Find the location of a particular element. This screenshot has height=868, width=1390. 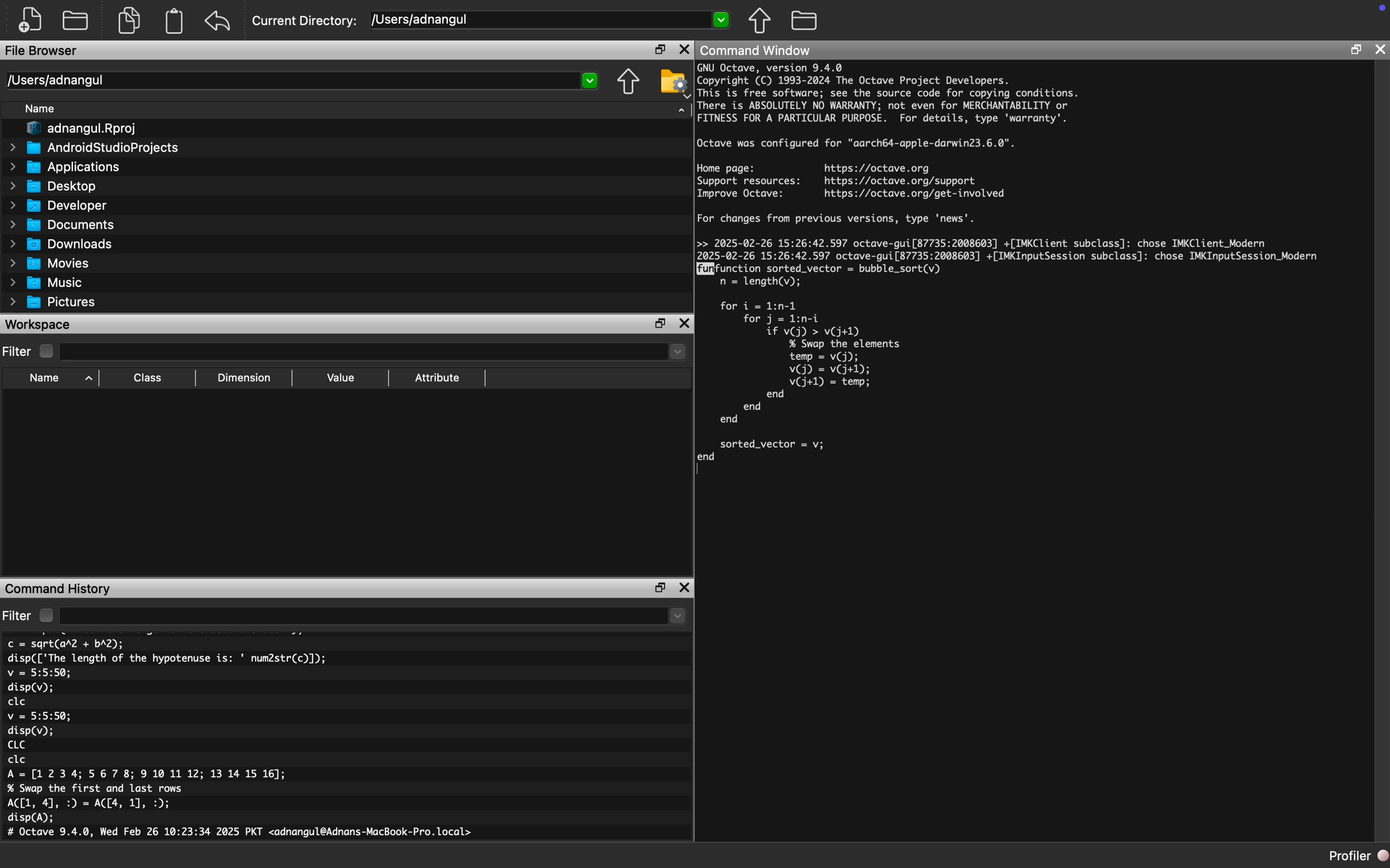

Restore Down is located at coordinates (661, 588).